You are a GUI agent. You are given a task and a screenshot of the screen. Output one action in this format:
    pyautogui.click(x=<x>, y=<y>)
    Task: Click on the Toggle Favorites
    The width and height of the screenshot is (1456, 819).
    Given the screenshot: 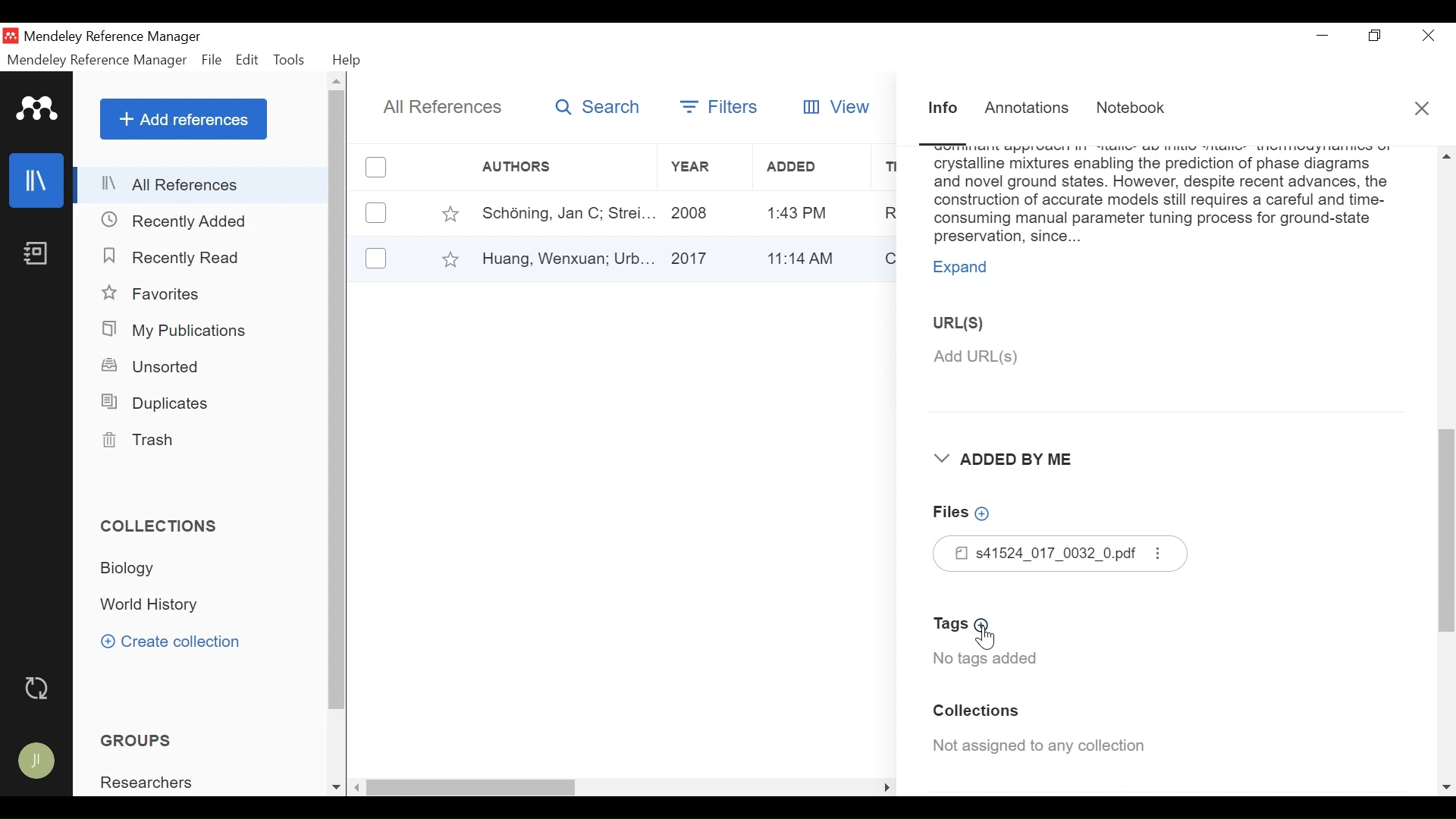 What is the action you would take?
    pyautogui.click(x=450, y=259)
    